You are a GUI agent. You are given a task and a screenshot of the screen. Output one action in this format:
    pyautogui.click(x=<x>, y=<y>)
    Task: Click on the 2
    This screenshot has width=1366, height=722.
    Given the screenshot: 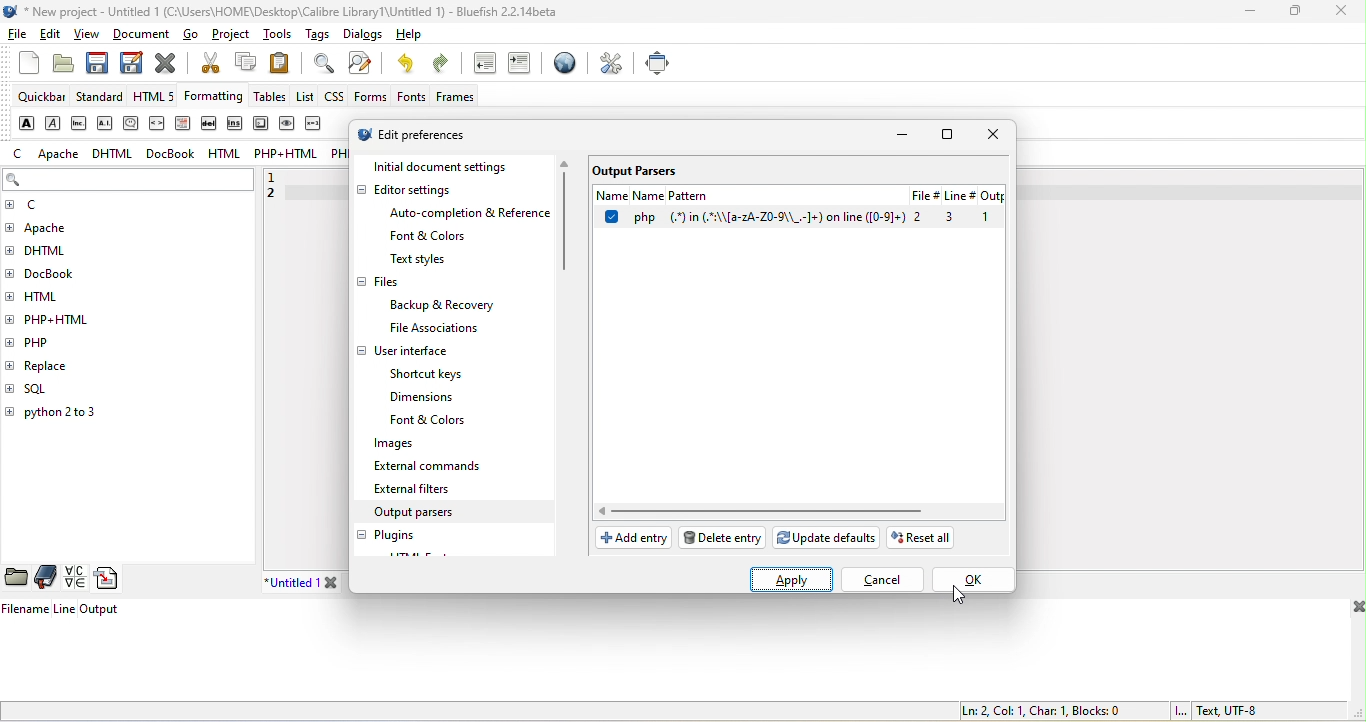 What is the action you would take?
    pyautogui.click(x=277, y=196)
    